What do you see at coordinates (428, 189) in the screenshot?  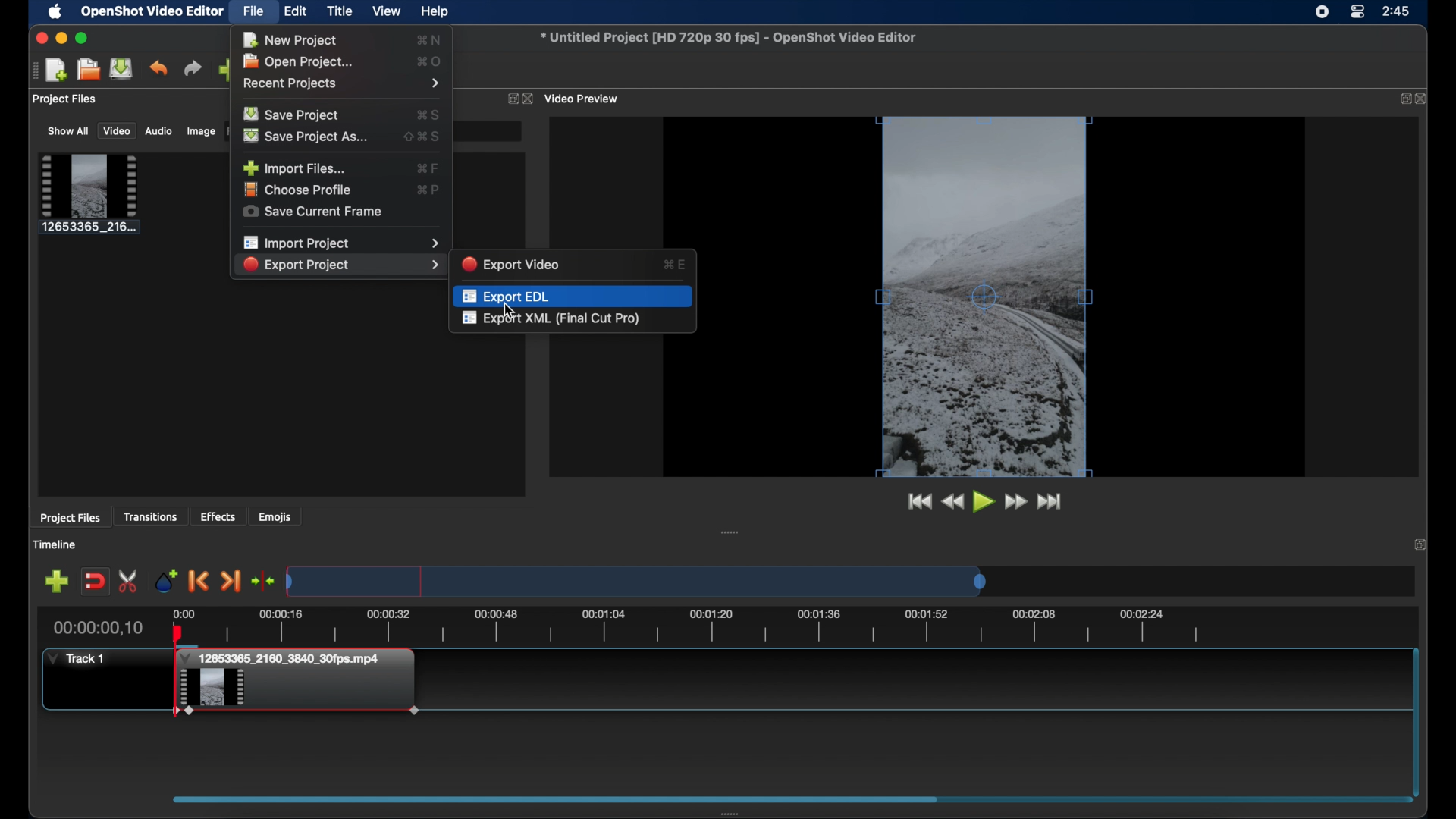 I see `choose profile shortcut` at bounding box center [428, 189].